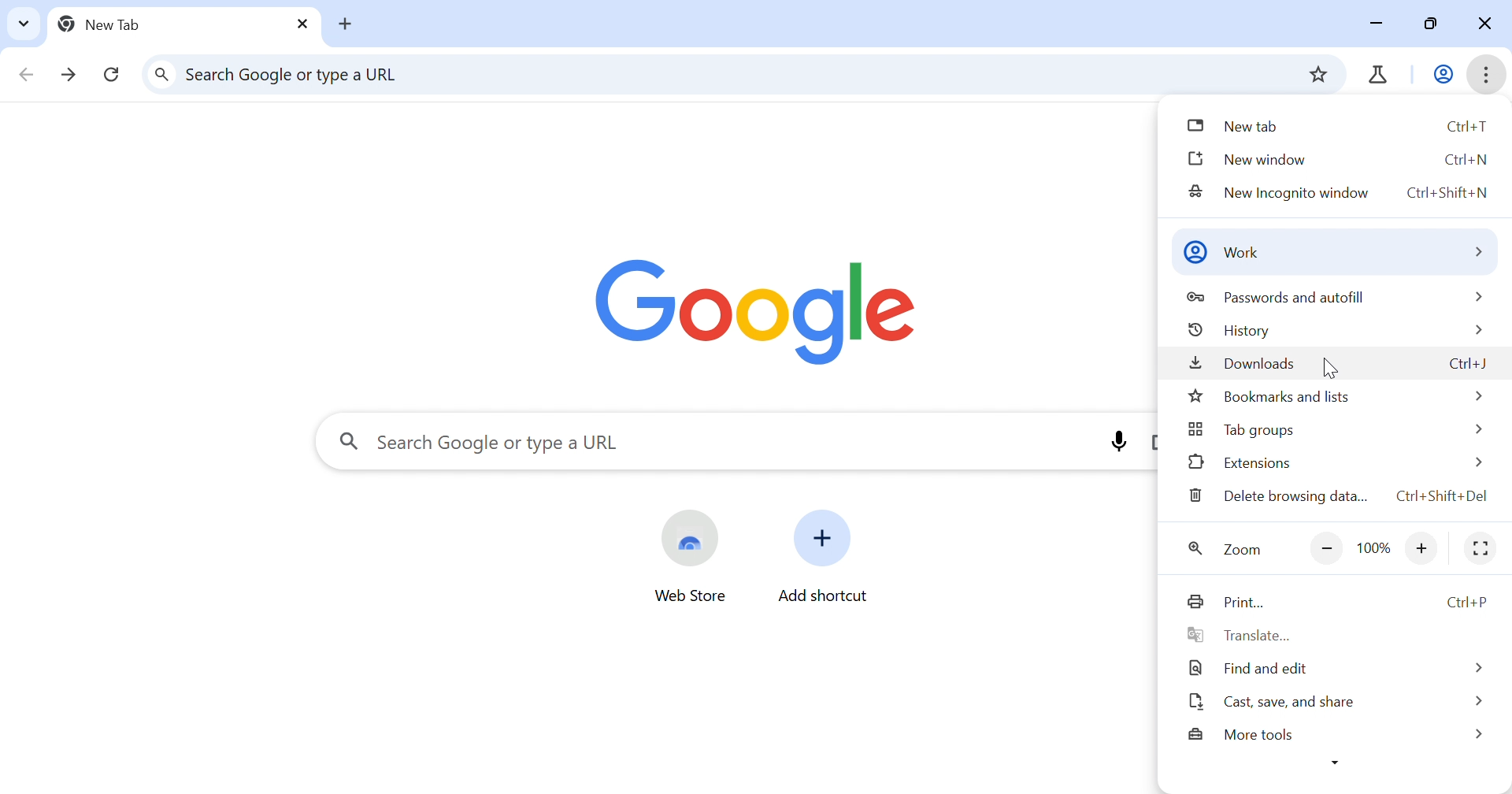 This screenshot has width=1512, height=794. I want to click on Arrow, so click(1475, 252).